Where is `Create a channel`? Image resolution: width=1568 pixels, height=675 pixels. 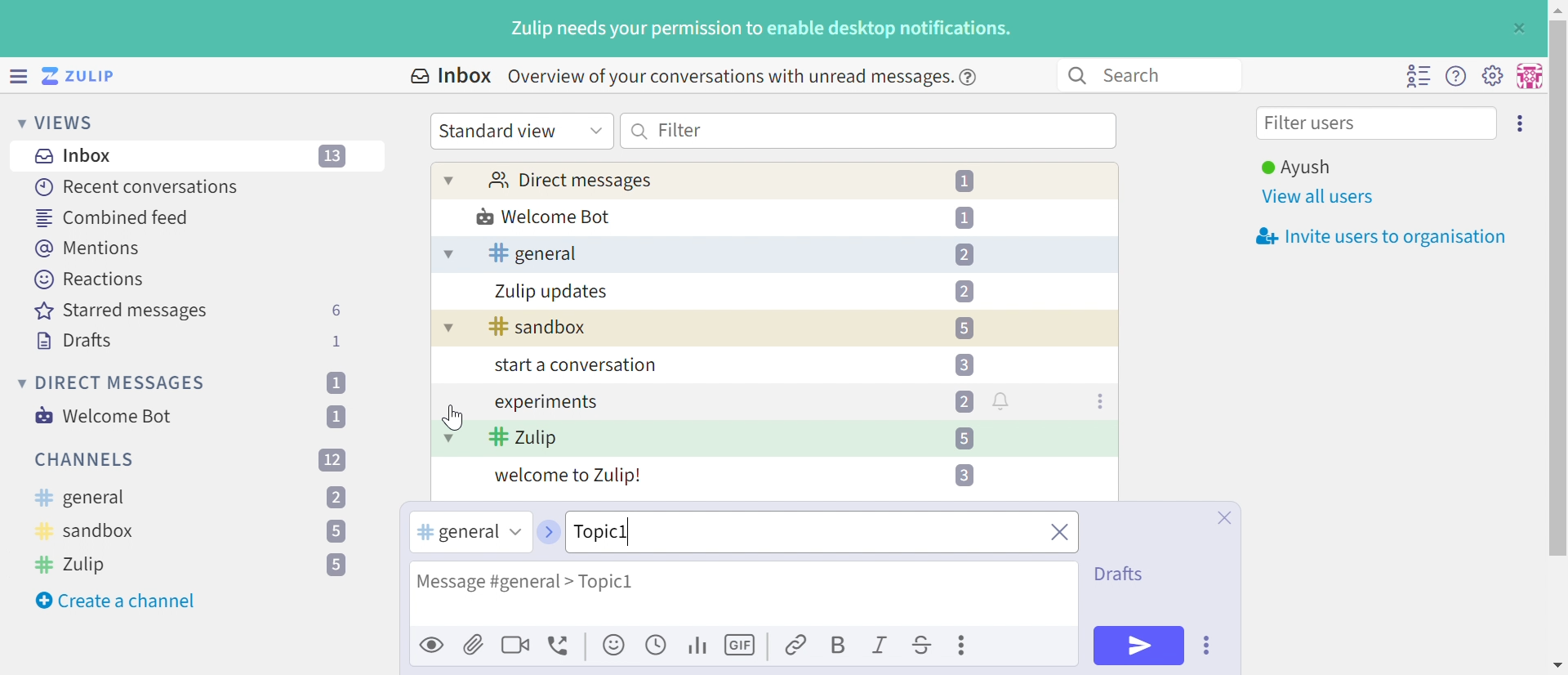 Create a channel is located at coordinates (118, 601).